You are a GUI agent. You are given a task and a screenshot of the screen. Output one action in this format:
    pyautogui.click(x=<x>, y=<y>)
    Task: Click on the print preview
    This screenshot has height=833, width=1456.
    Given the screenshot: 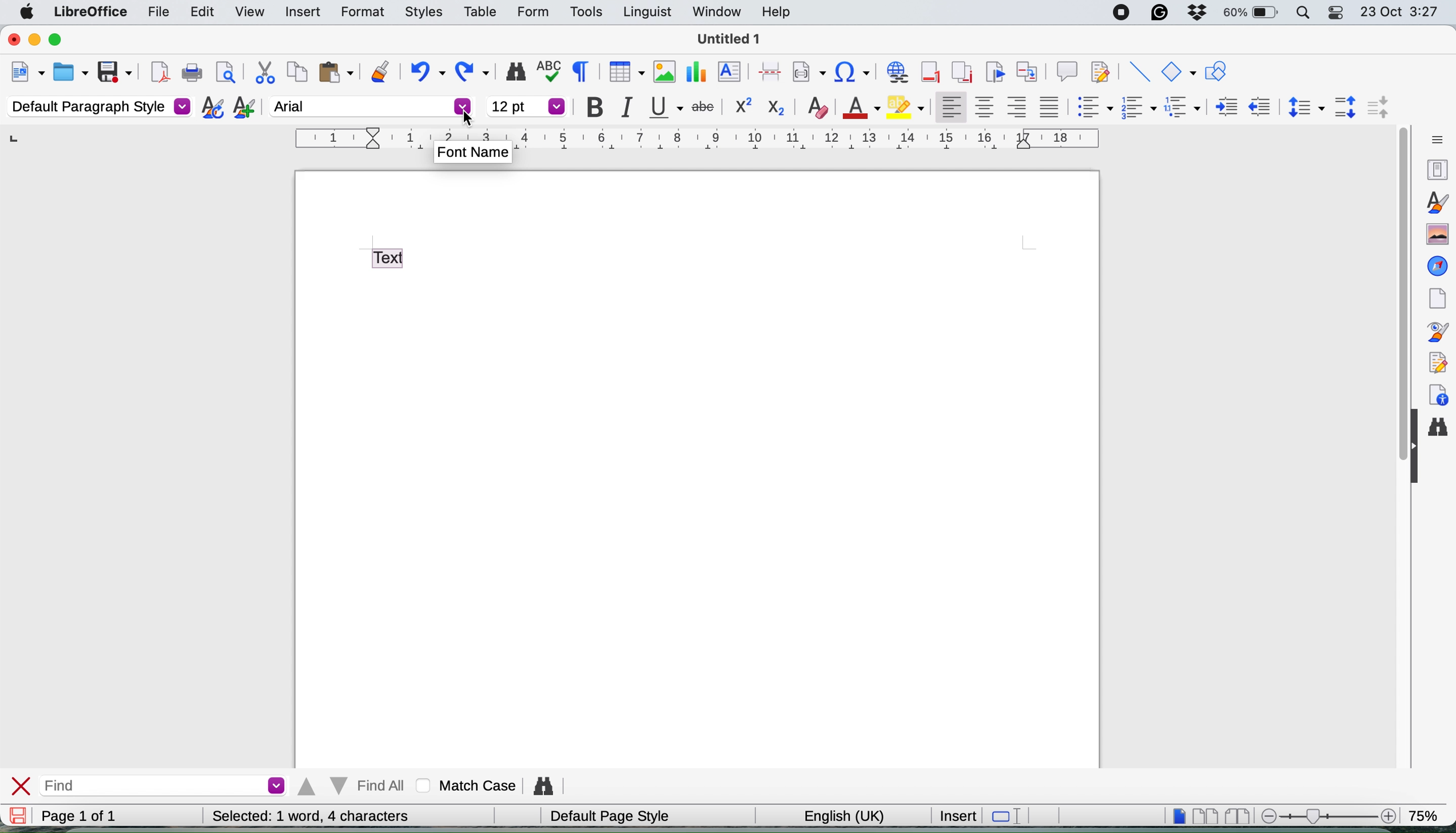 What is the action you would take?
    pyautogui.click(x=225, y=74)
    